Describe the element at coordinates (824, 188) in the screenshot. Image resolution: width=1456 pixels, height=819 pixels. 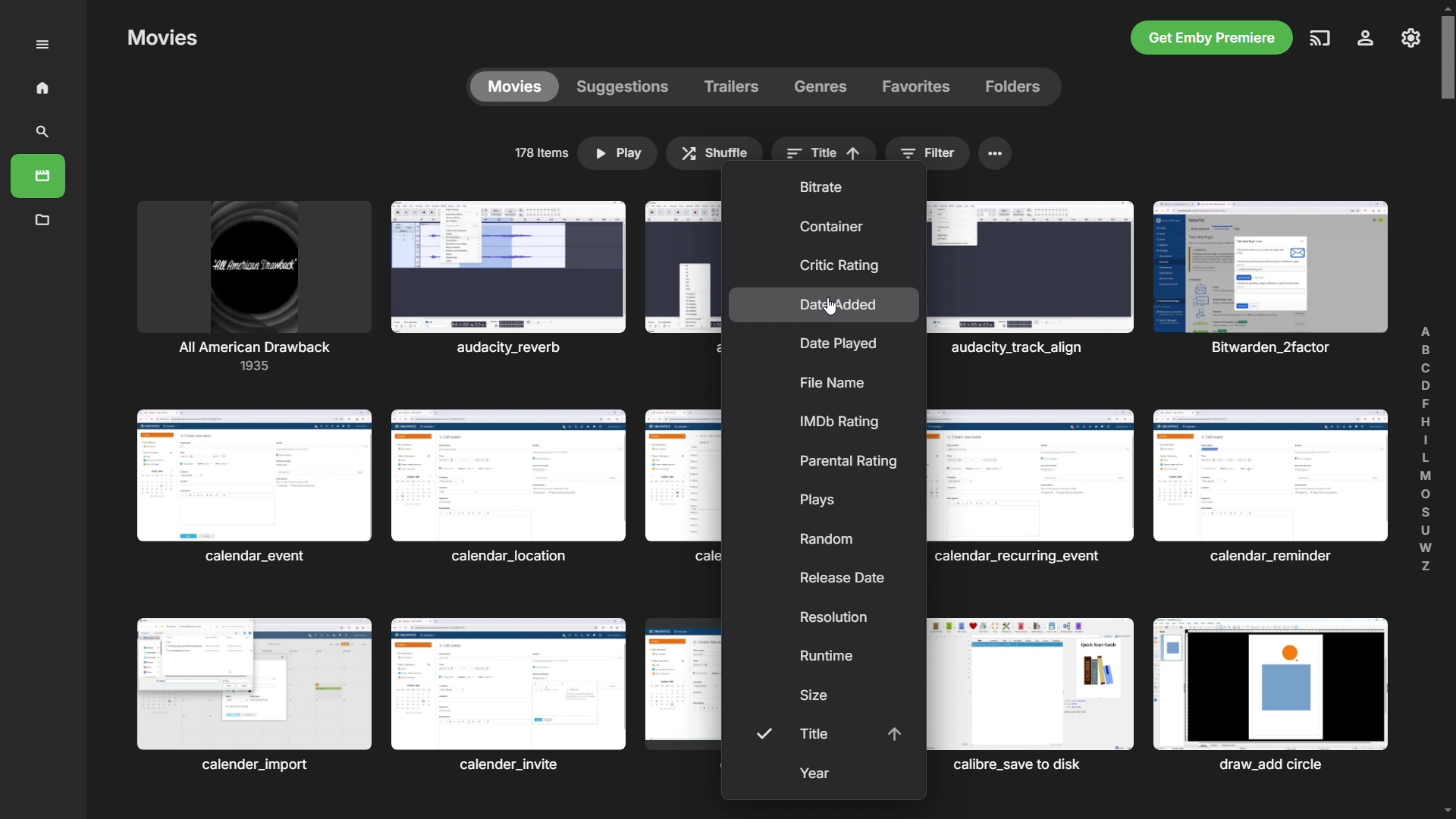
I see `bitrate` at that location.